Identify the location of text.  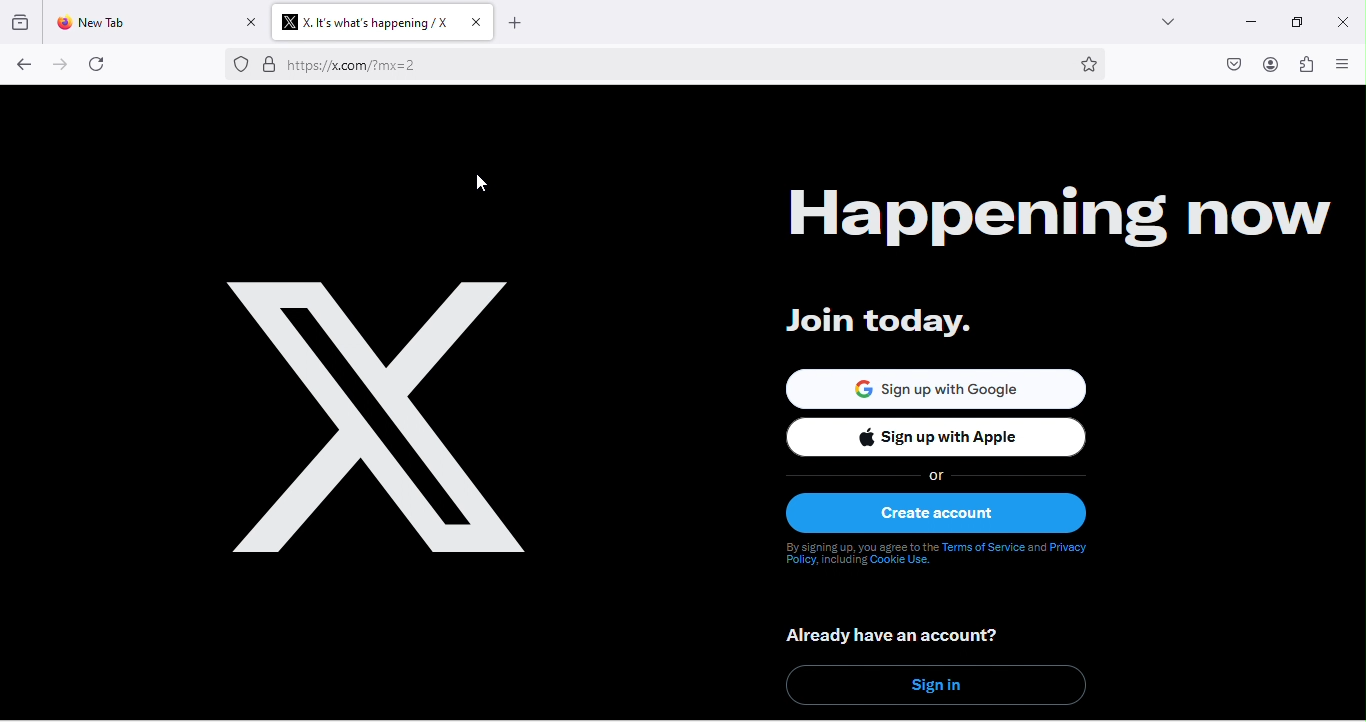
(940, 558).